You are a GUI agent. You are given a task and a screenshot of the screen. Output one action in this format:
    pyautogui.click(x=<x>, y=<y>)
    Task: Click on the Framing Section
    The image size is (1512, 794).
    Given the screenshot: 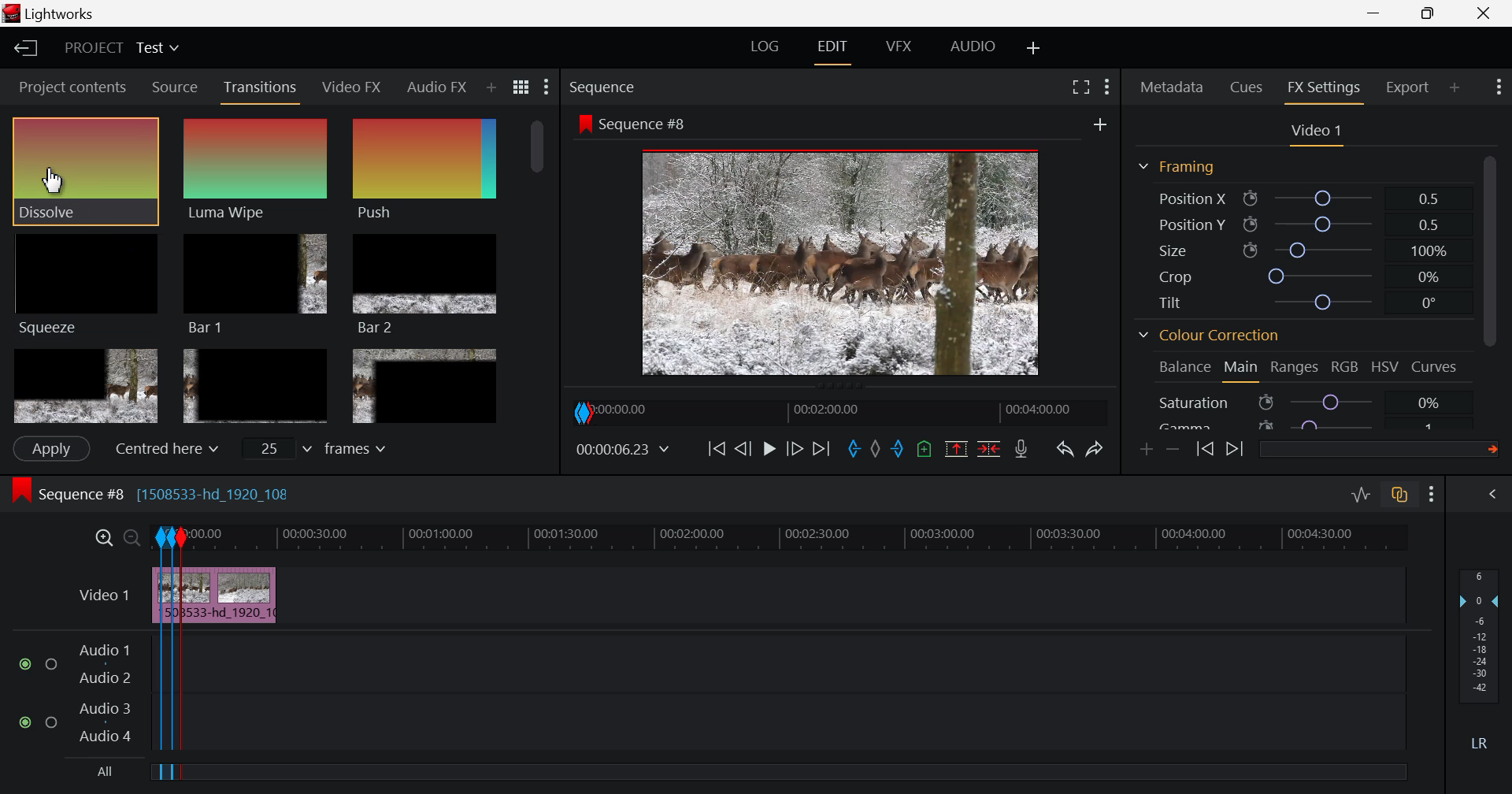 What is the action you would take?
    pyautogui.click(x=1177, y=168)
    